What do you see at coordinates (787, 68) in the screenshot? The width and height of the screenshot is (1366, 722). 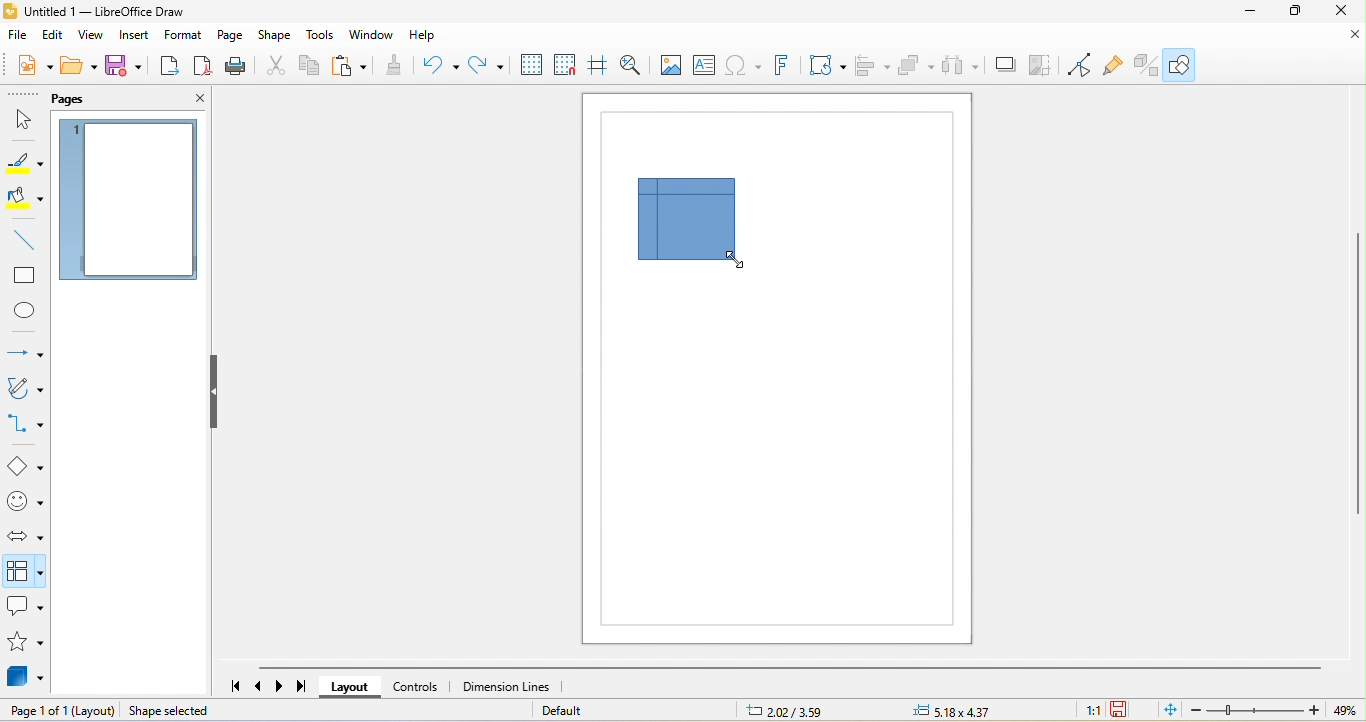 I see `font work text` at bounding box center [787, 68].